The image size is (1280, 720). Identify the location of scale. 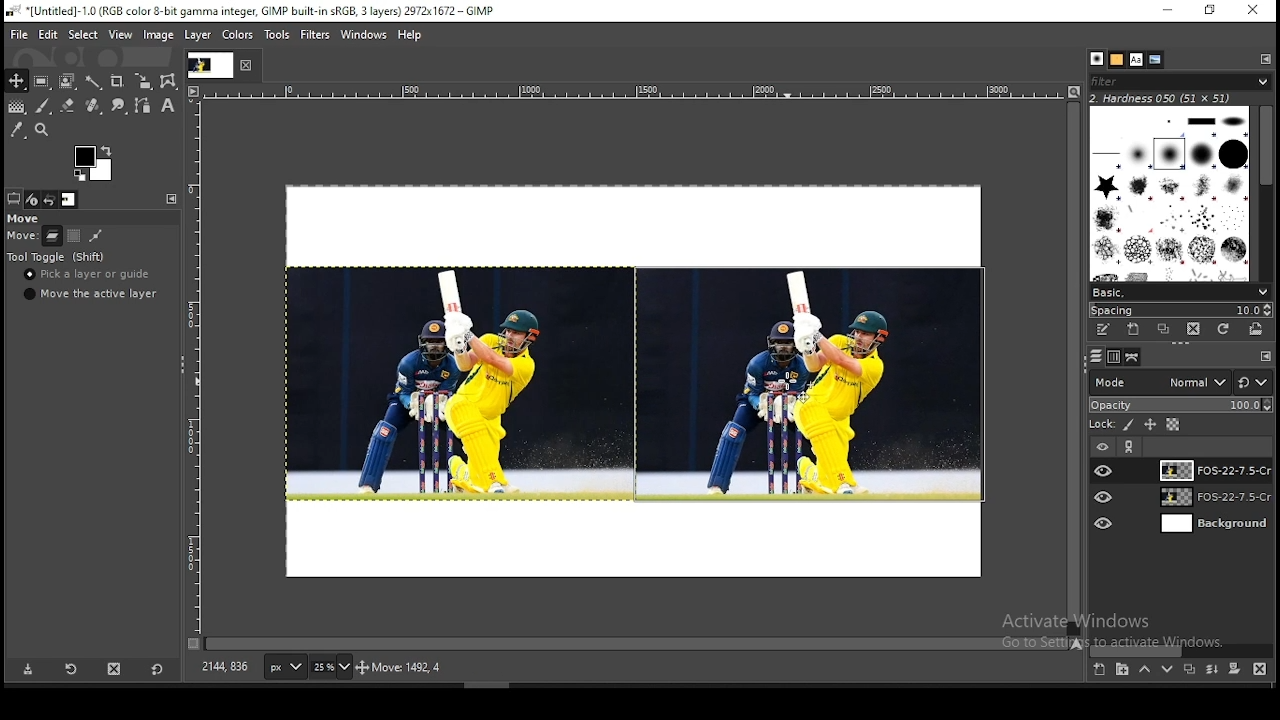
(196, 366).